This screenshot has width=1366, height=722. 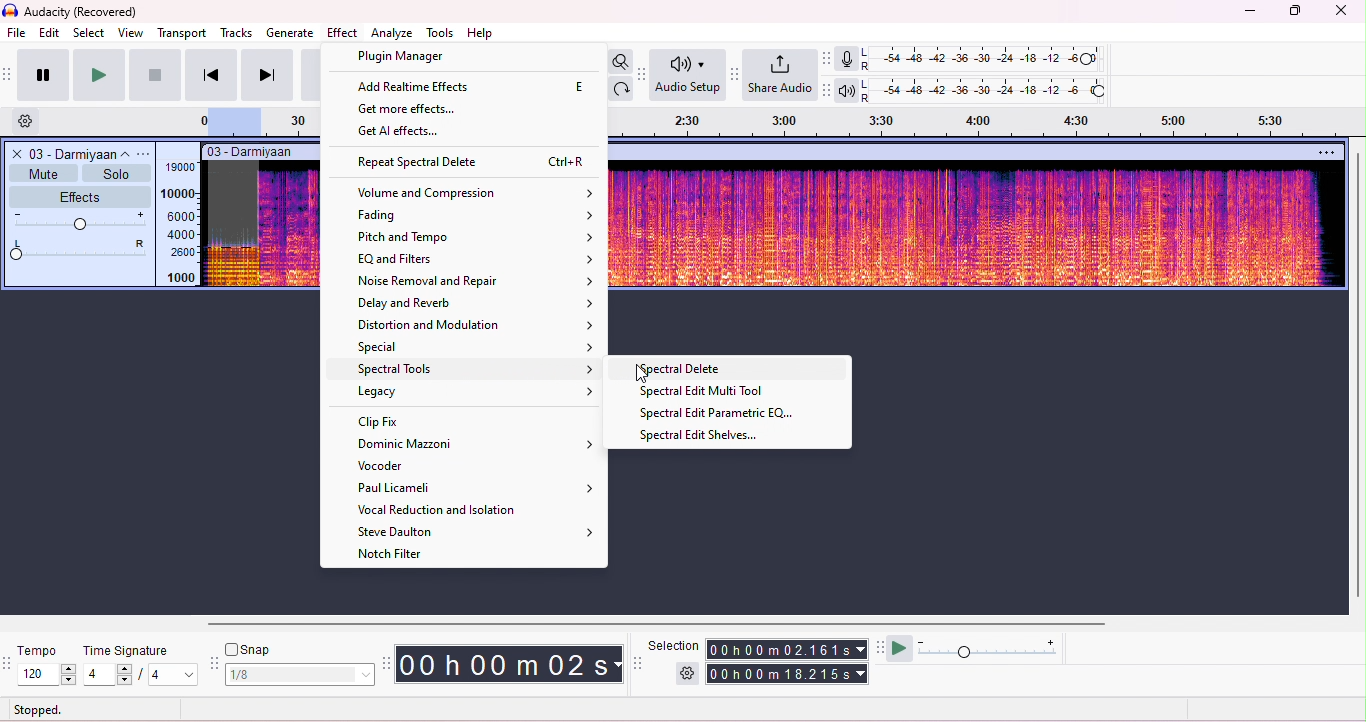 I want to click on play, so click(x=98, y=75).